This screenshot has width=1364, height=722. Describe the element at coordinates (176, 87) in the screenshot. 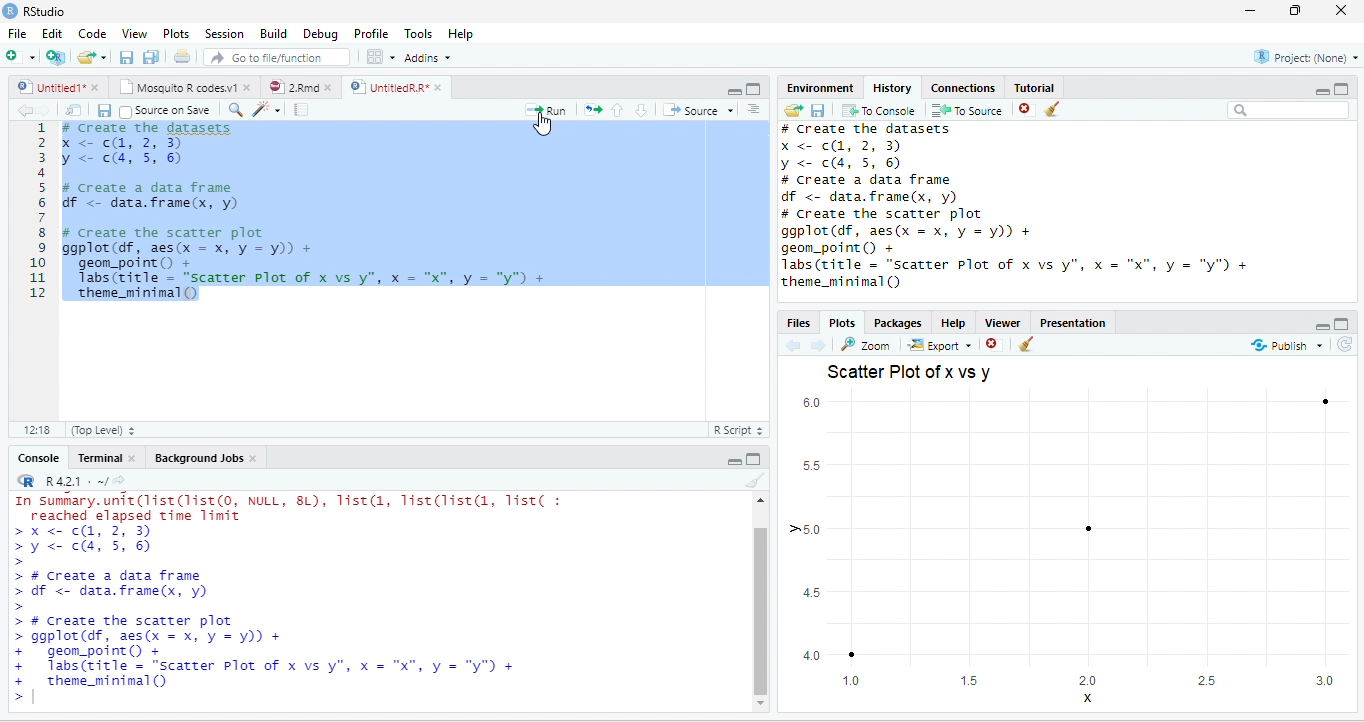

I see `Mosquito R codes.v1` at that location.